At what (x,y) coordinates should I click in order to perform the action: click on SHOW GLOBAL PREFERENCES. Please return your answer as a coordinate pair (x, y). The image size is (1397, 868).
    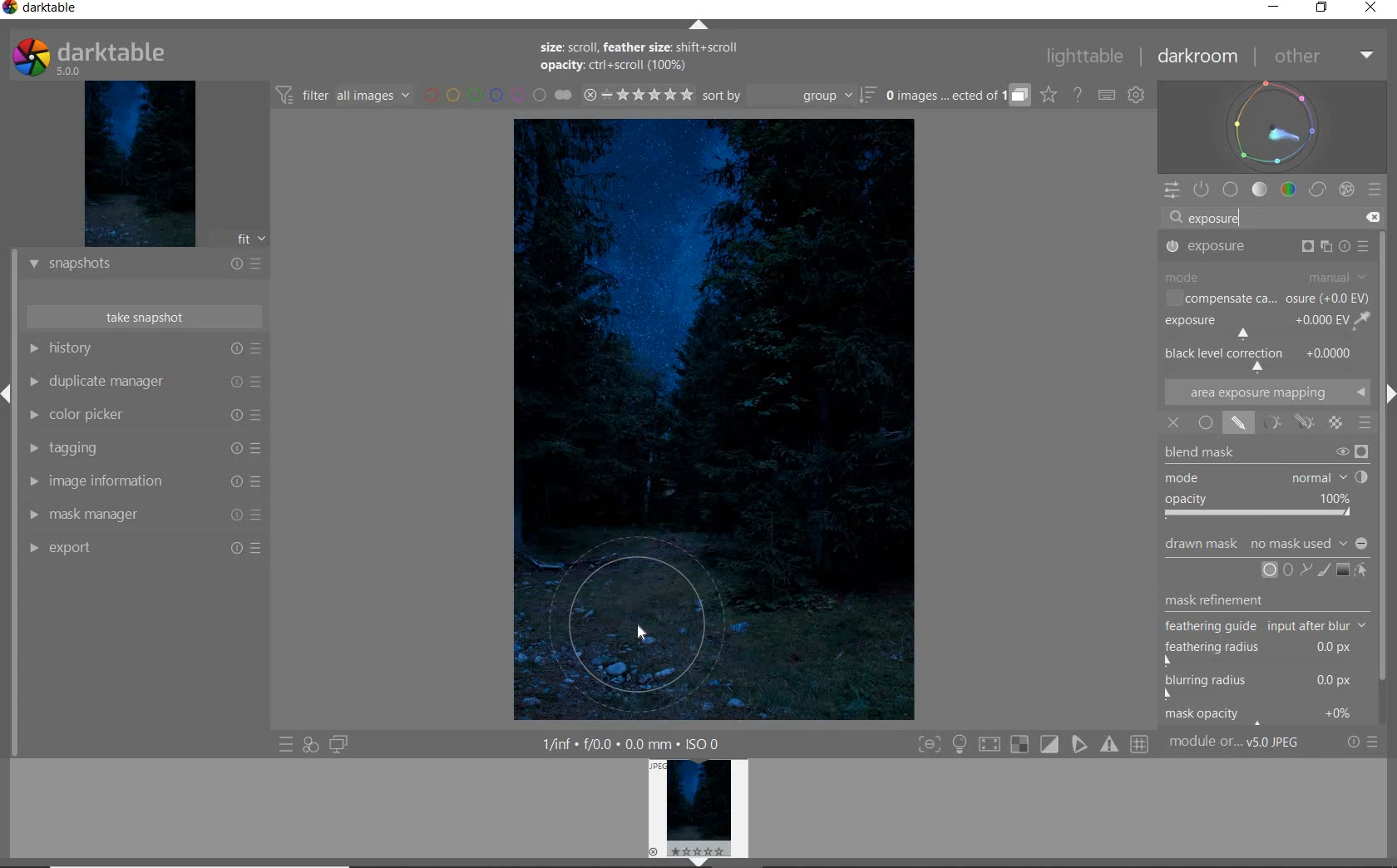
    Looking at the image, I should click on (1136, 95).